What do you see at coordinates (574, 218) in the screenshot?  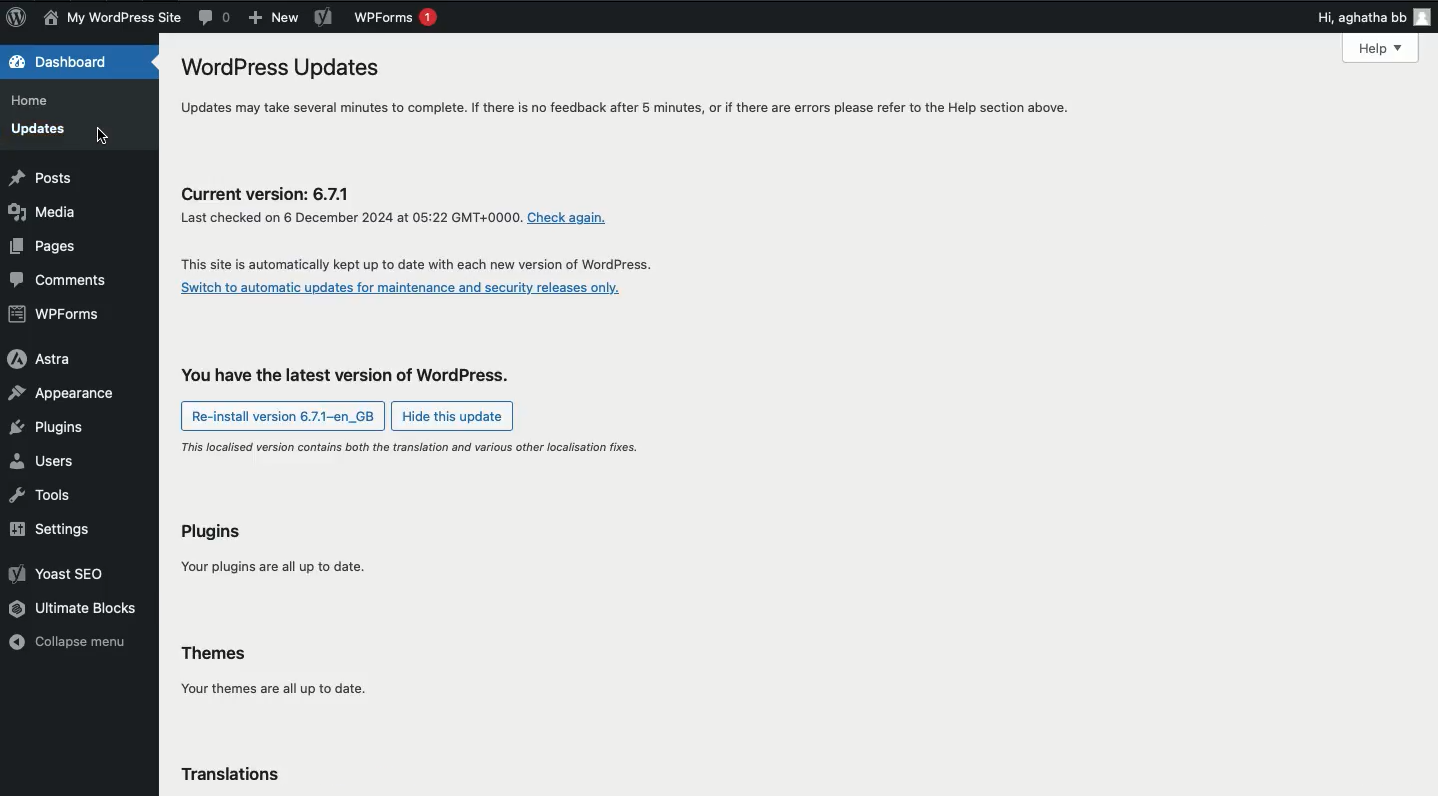 I see `` at bounding box center [574, 218].